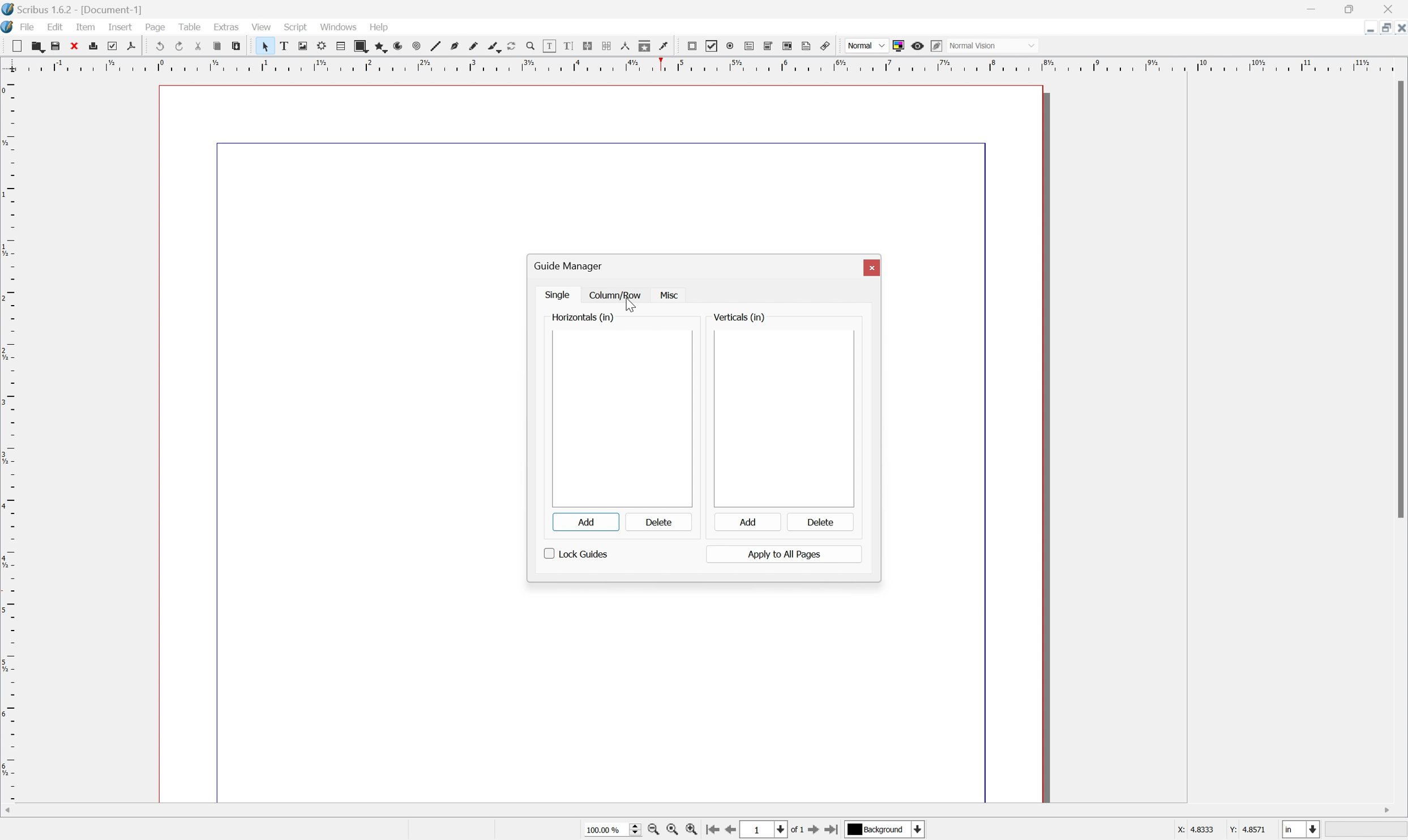  I want to click on add, so click(584, 522).